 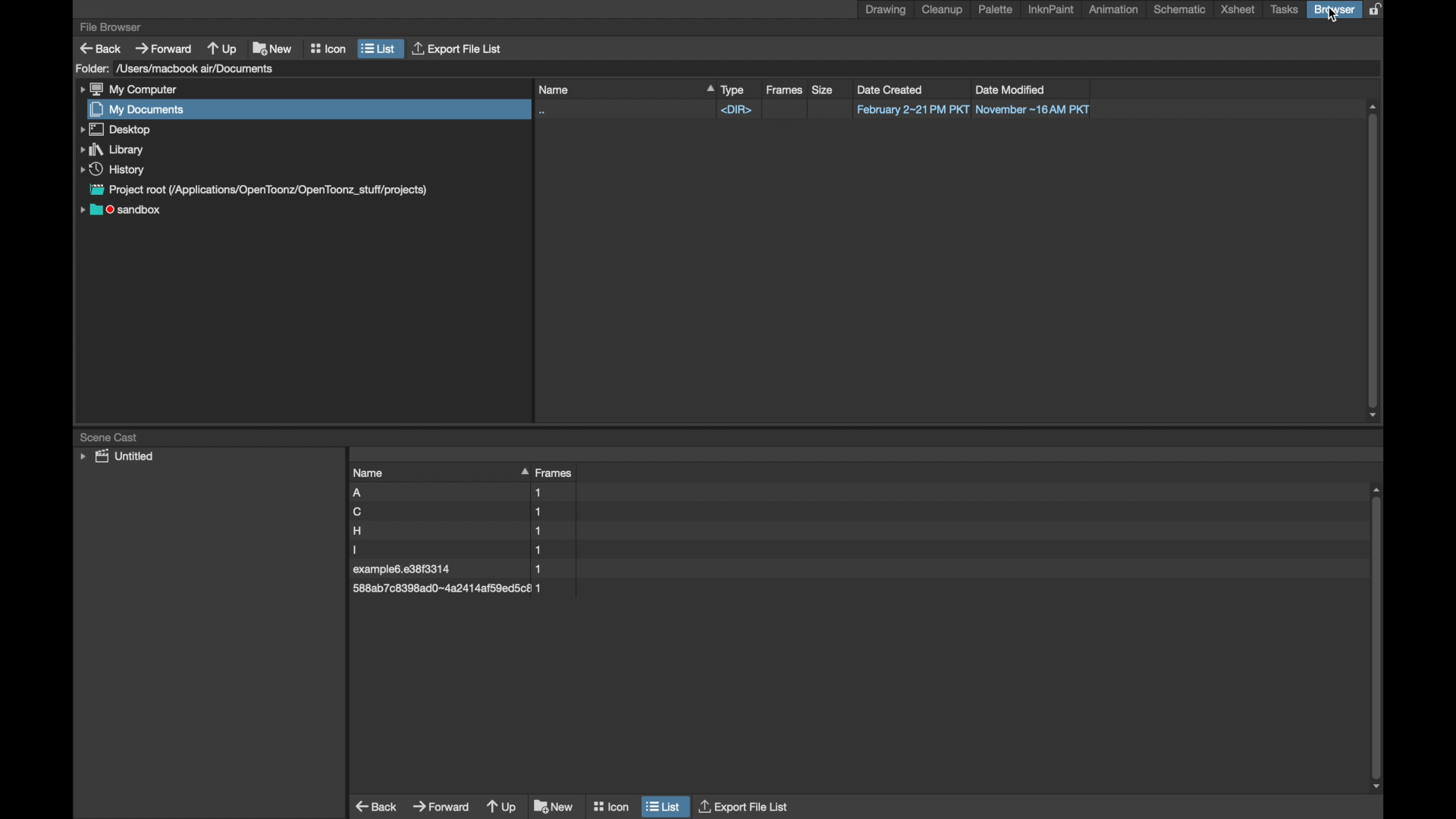 What do you see at coordinates (520, 472) in the screenshot?
I see `sort` at bounding box center [520, 472].